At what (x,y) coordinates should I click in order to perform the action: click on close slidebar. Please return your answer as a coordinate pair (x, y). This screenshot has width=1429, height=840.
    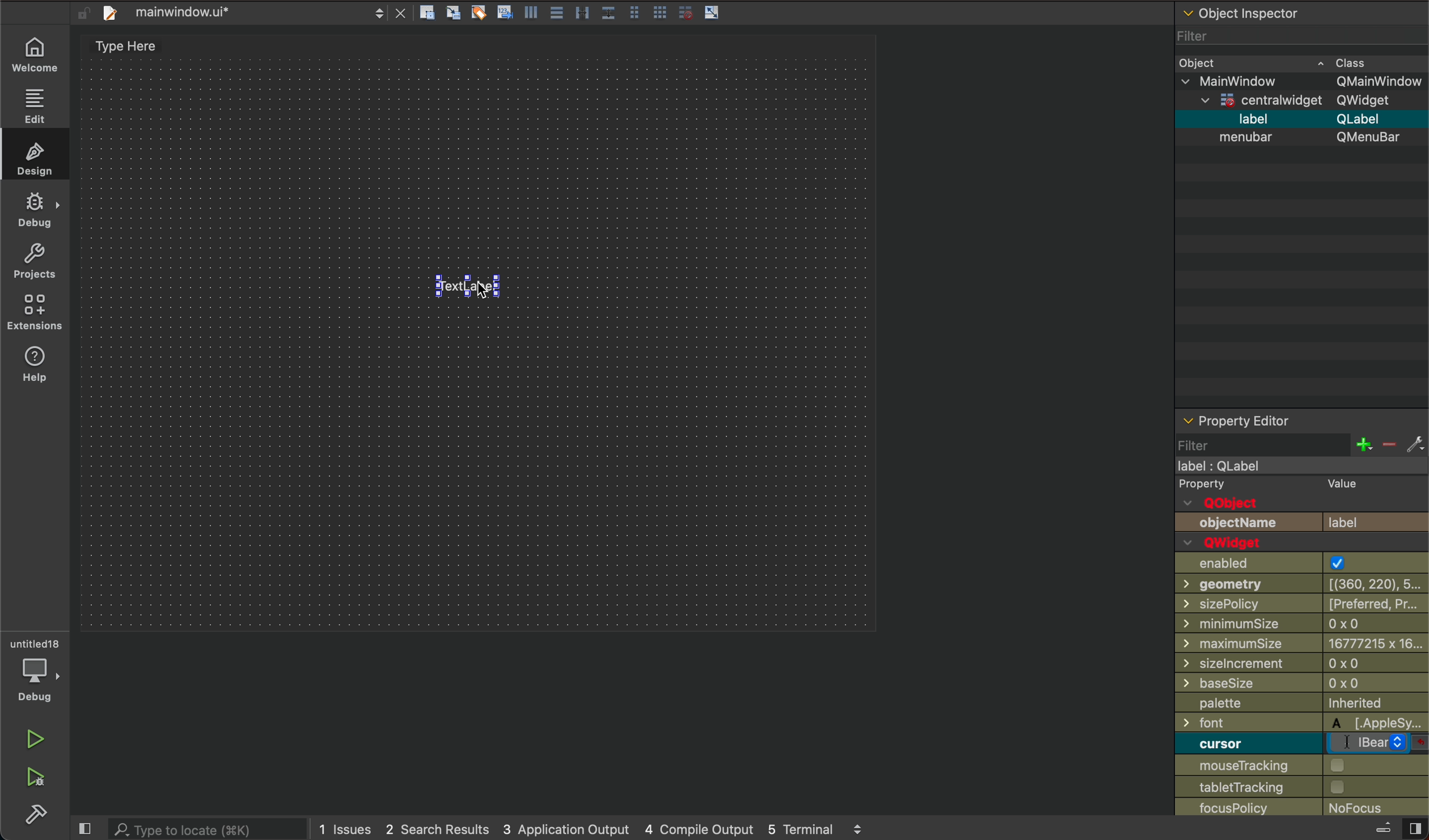
    Looking at the image, I should click on (1394, 828).